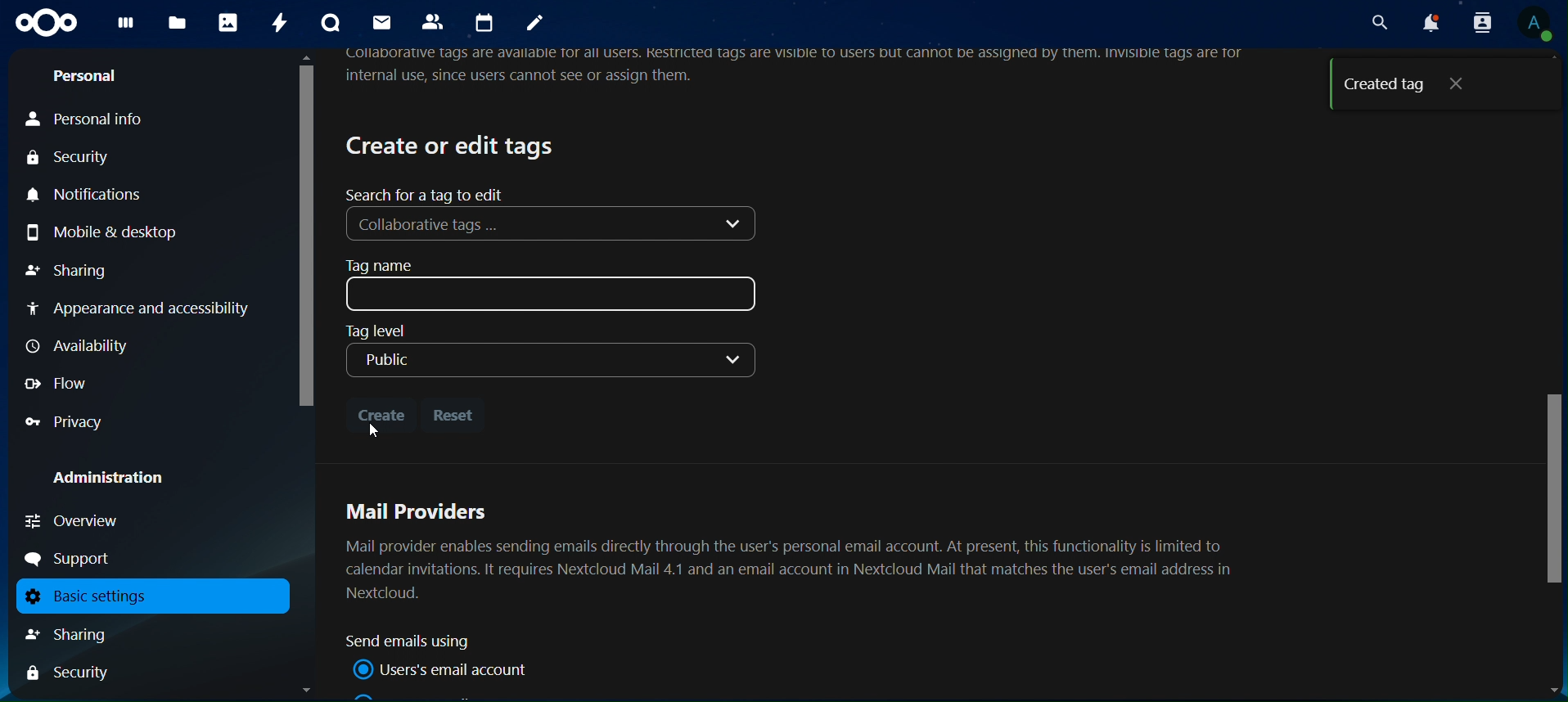  I want to click on search for a tag to edit, so click(428, 194).